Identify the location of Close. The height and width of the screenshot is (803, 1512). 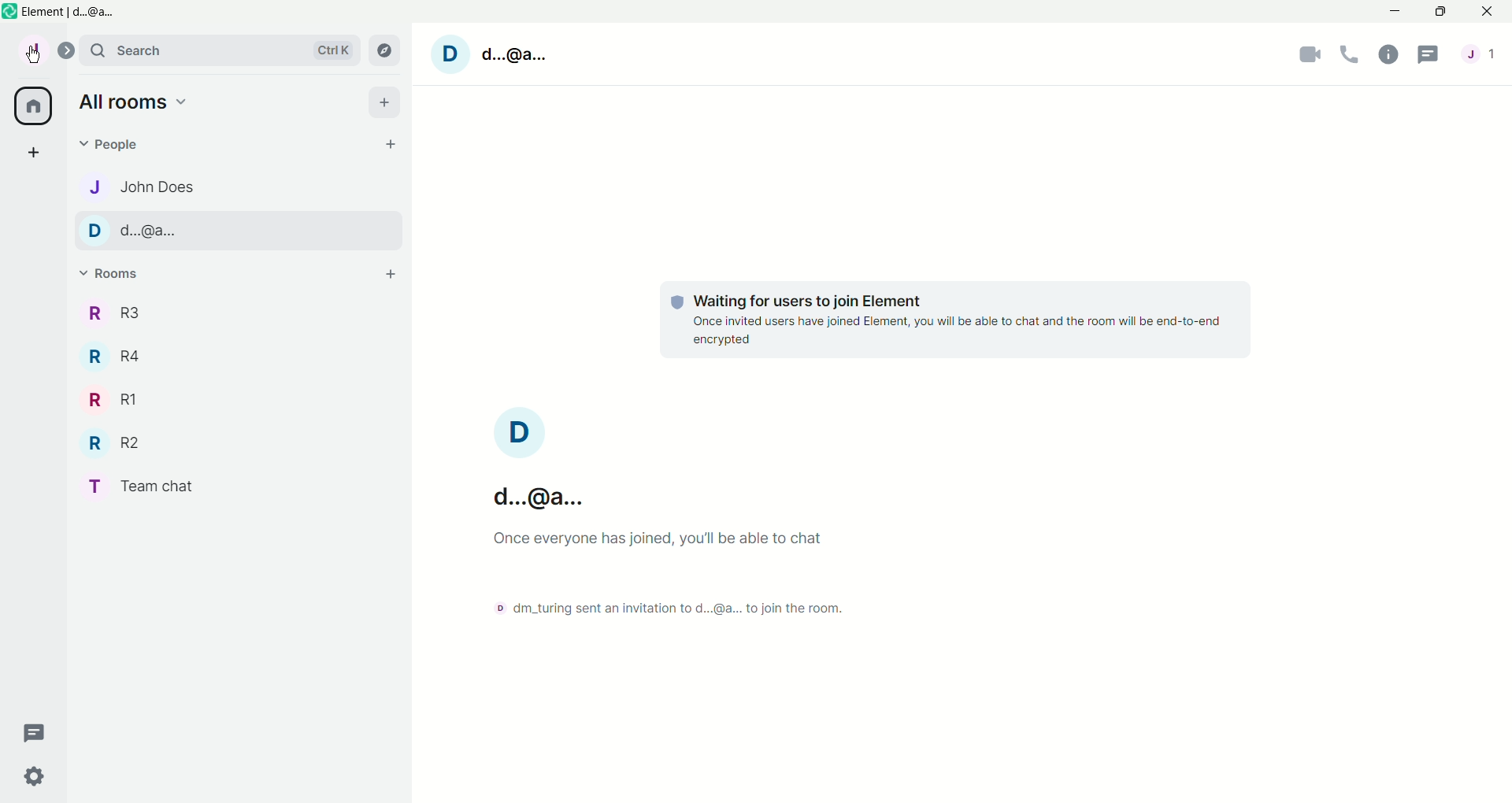
(1489, 11).